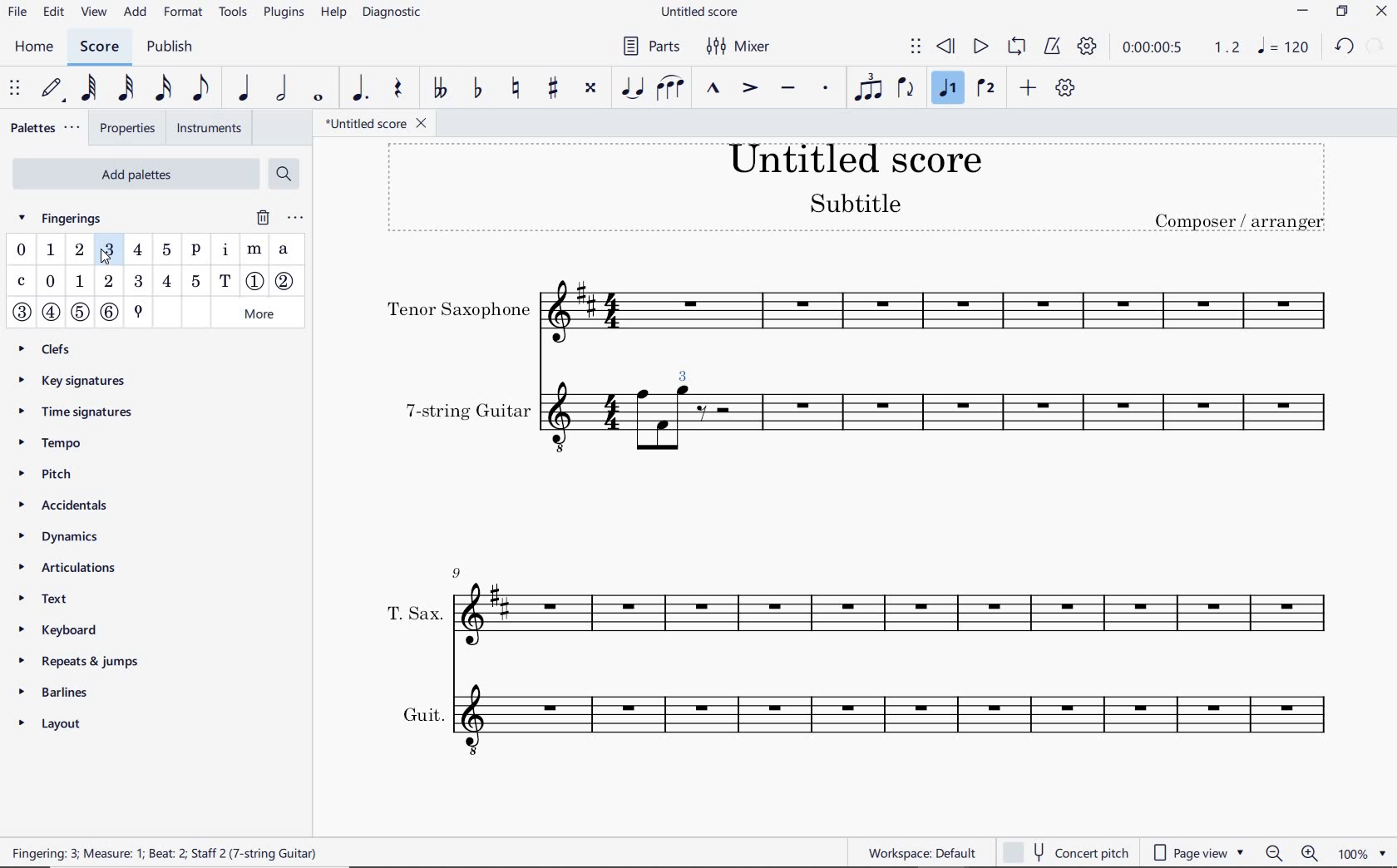  Describe the element at coordinates (76, 660) in the screenshot. I see `REPEATS & JUMPS` at that location.